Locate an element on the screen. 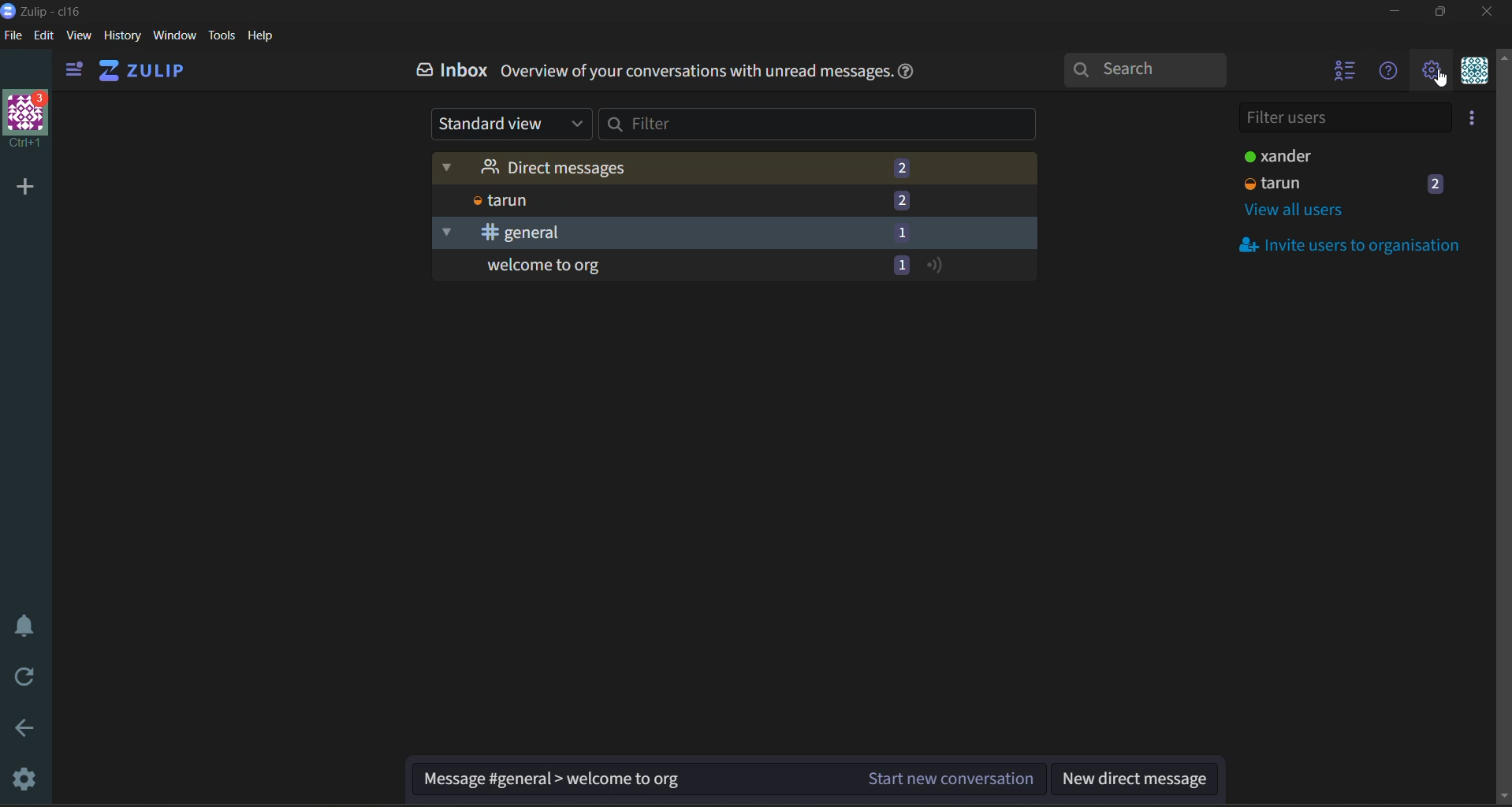  view is located at coordinates (79, 35).